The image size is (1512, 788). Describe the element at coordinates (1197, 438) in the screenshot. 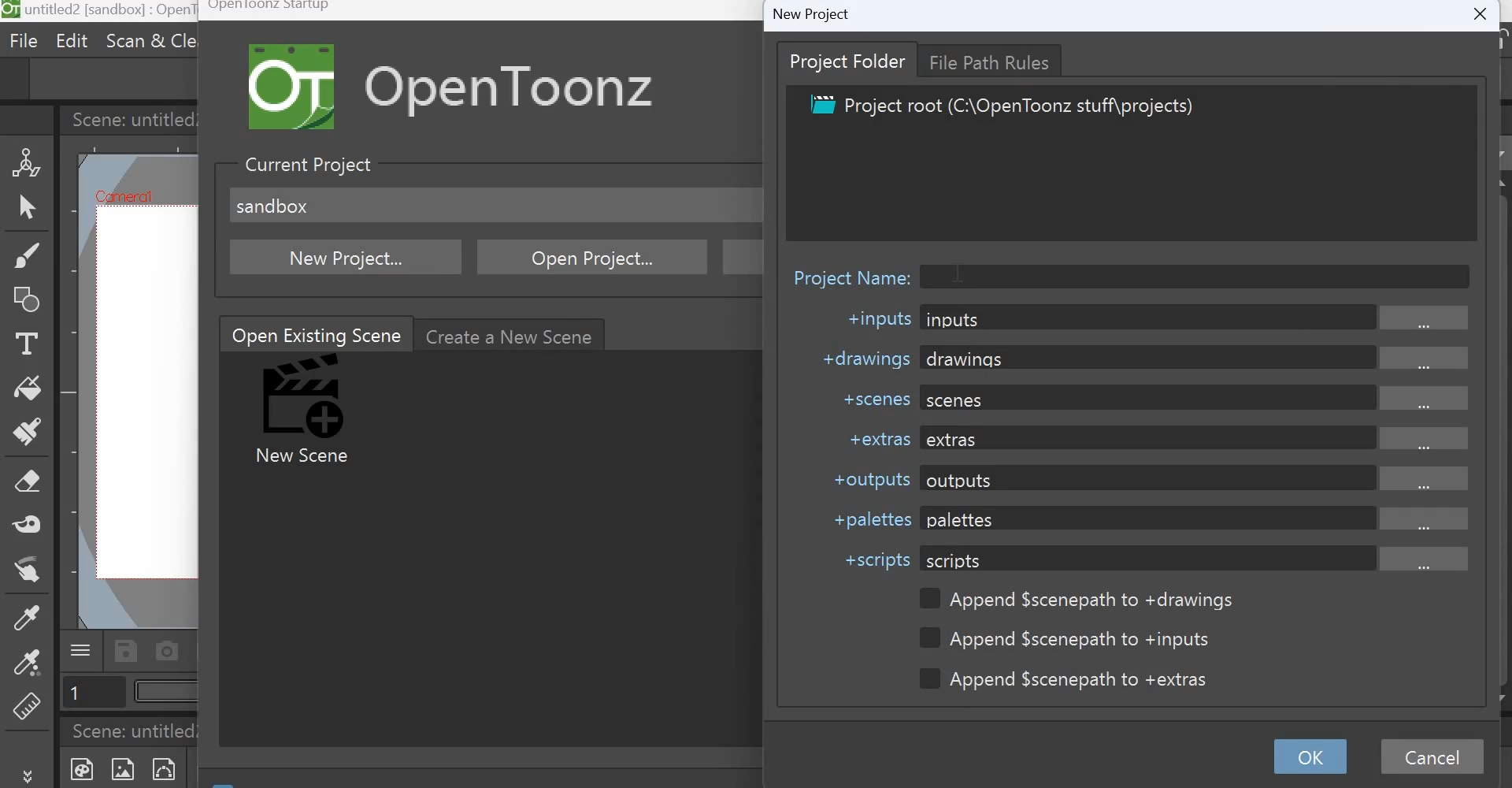

I see `extras` at that location.